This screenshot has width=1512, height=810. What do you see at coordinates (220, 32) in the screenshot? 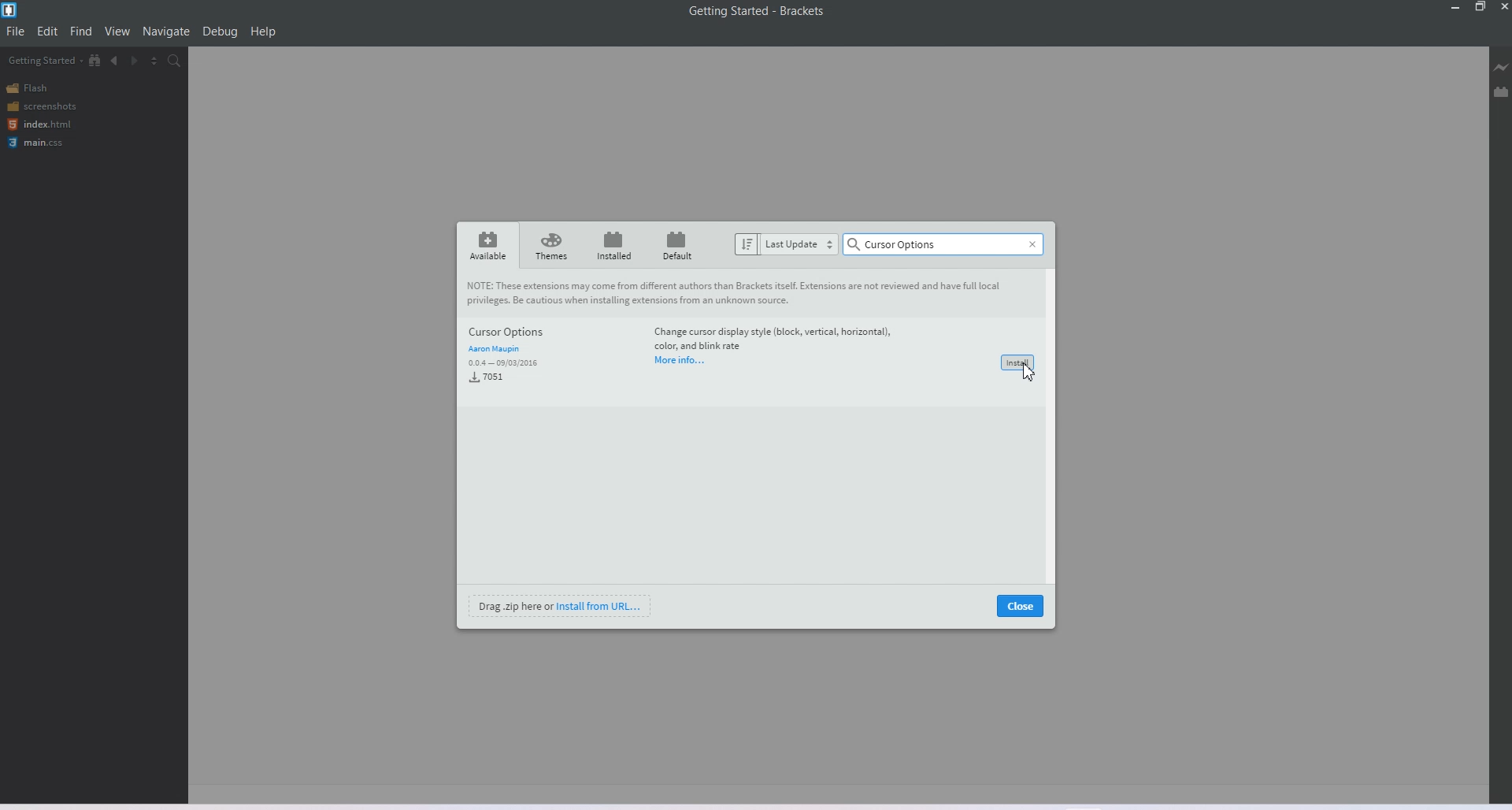
I see `Debug` at bounding box center [220, 32].